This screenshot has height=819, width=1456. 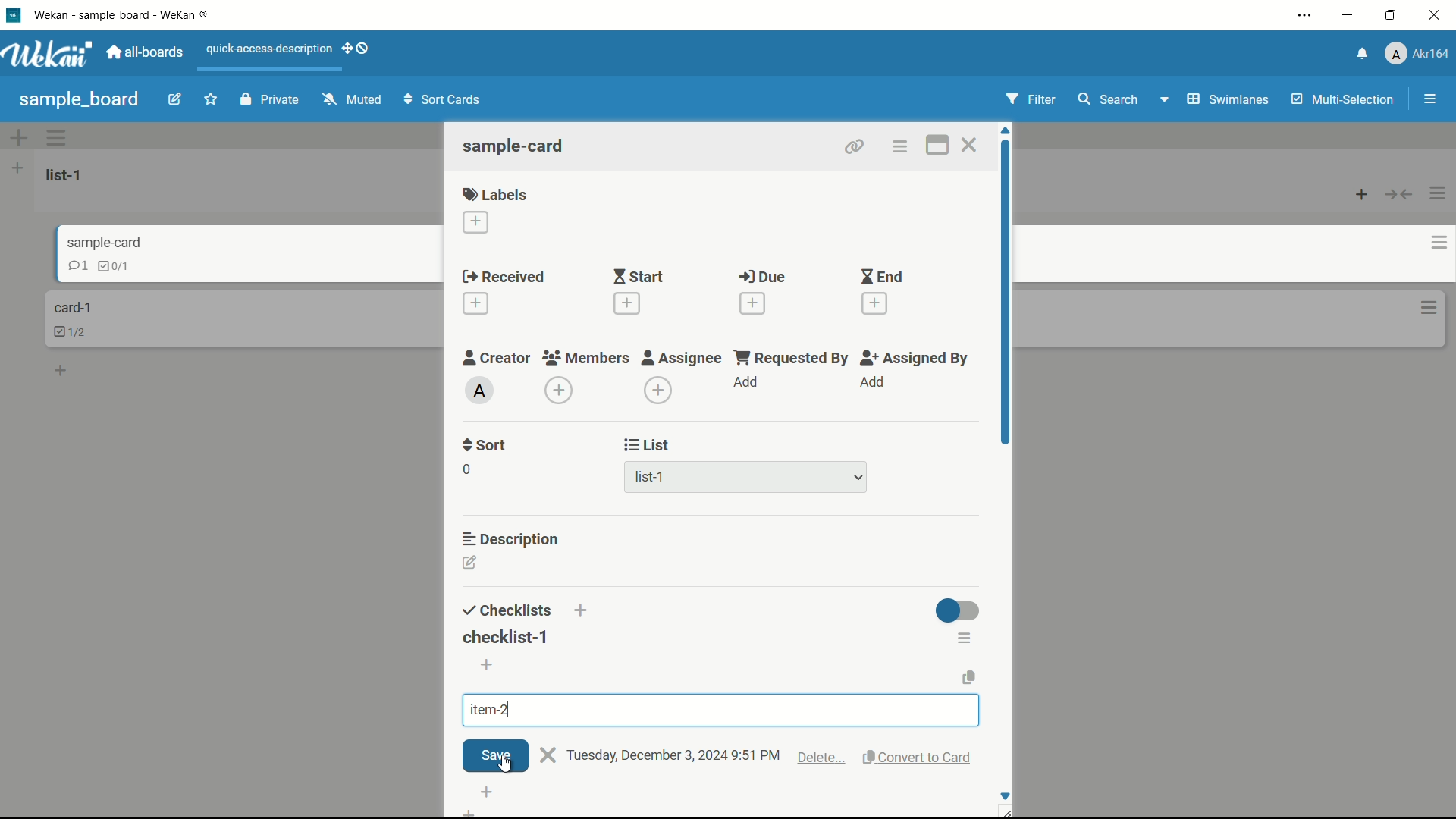 What do you see at coordinates (793, 358) in the screenshot?
I see `requested by` at bounding box center [793, 358].